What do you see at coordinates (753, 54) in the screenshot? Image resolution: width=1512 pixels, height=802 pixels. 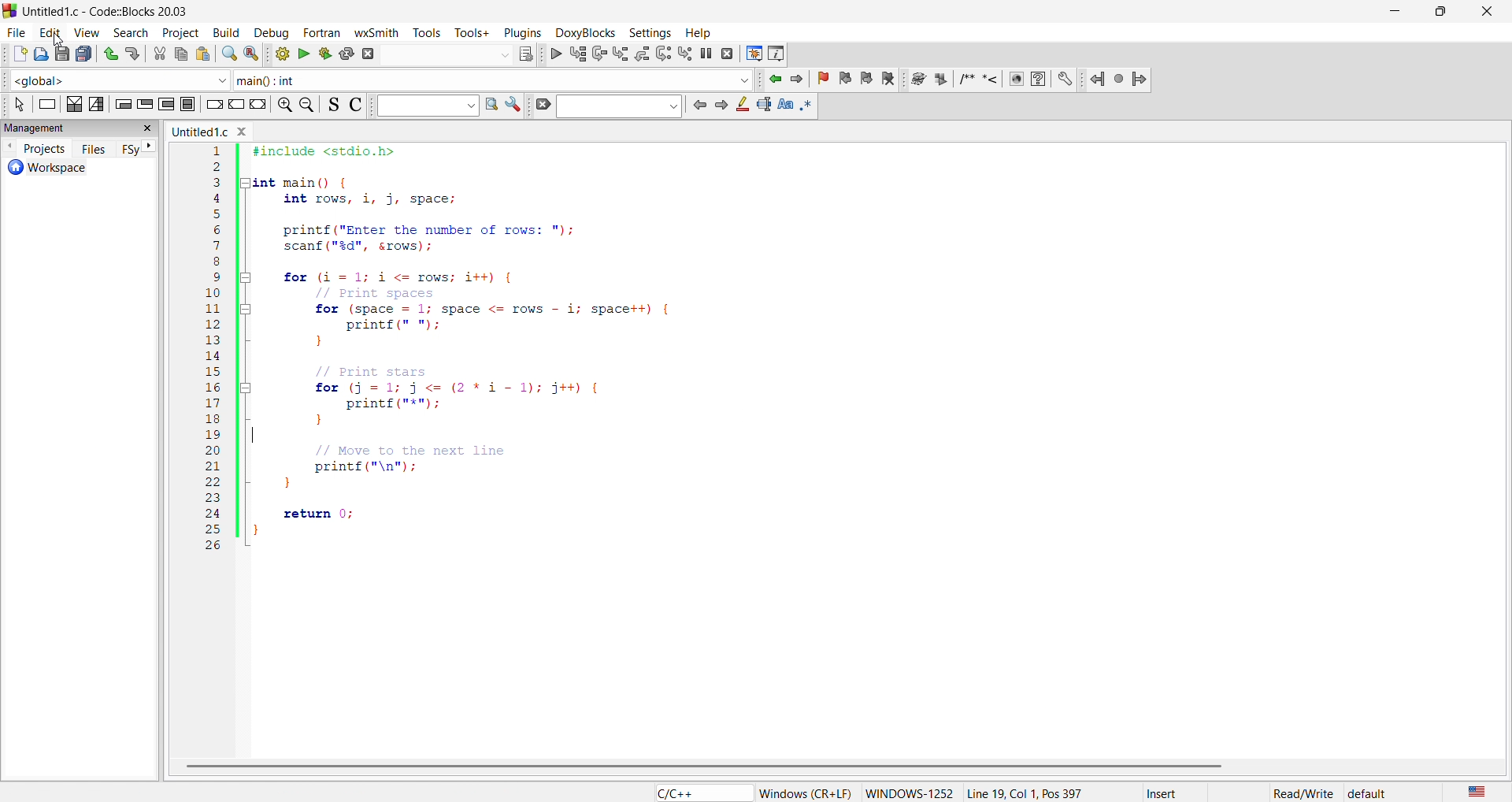 I see `debugging window` at bounding box center [753, 54].